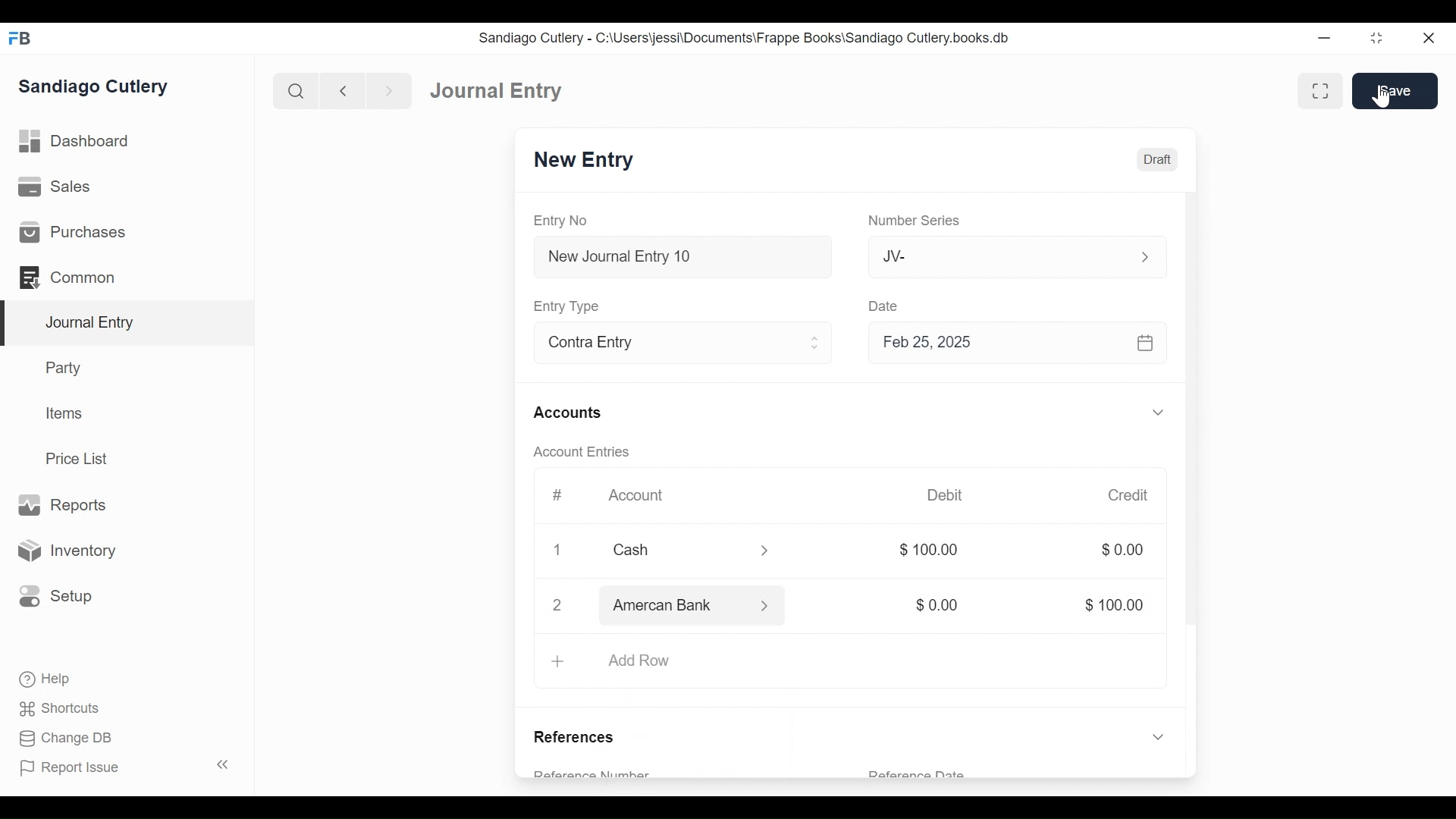  I want to click on Credit, so click(1131, 497).